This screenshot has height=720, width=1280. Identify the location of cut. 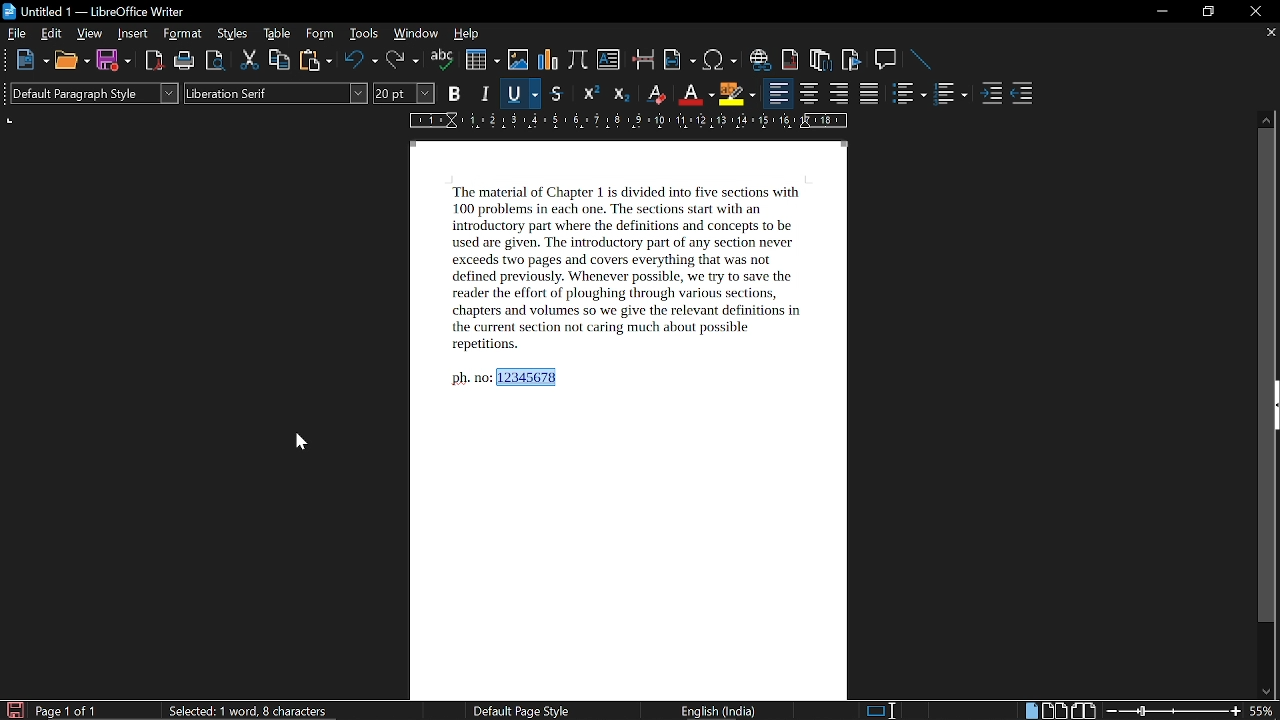
(250, 61).